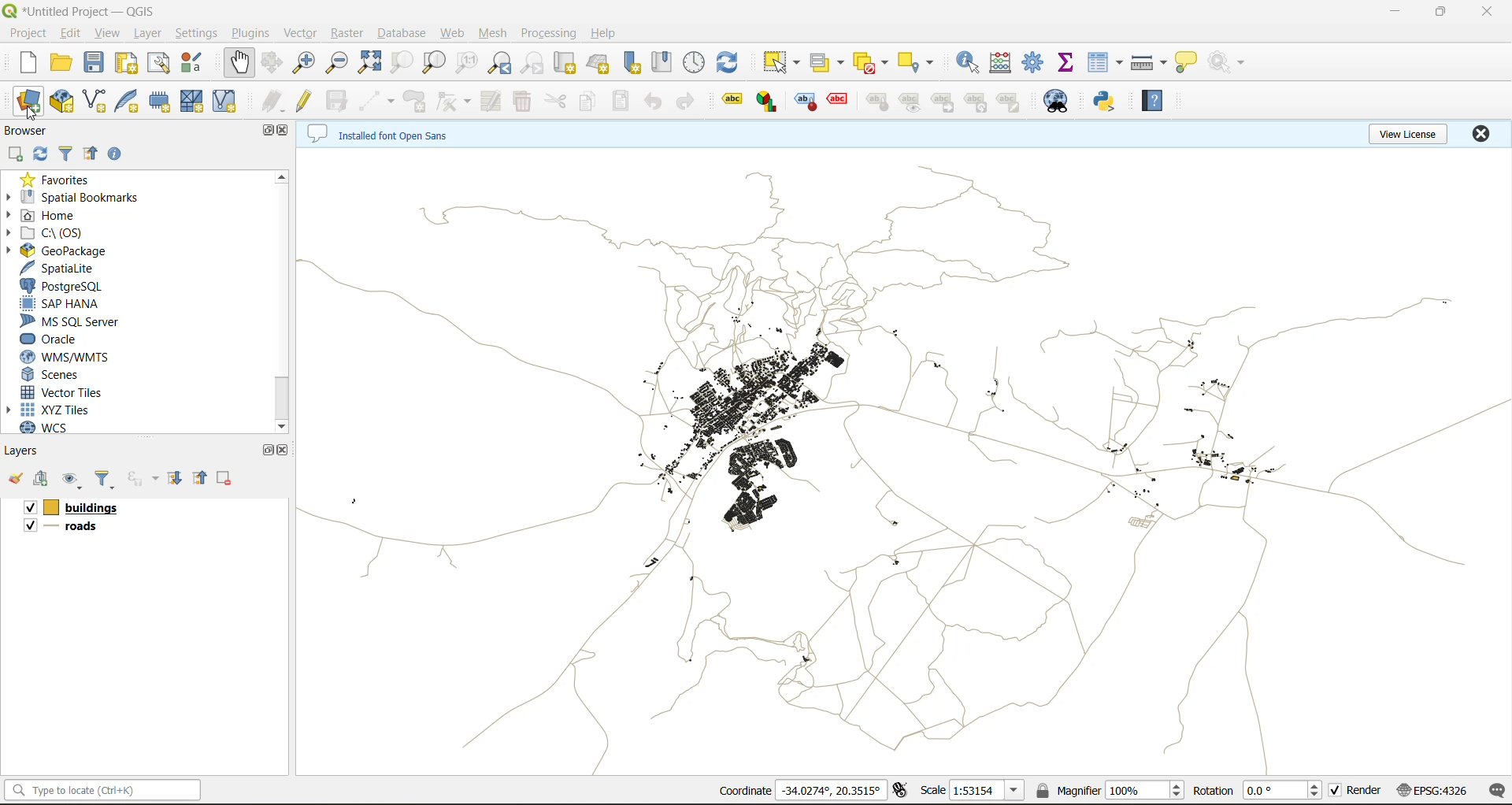 Image resolution: width=1512 pixels, height=805 pixels. Describe the element at coordinates (145, 477) in the screenshot. I see `filter by expression` at that location.